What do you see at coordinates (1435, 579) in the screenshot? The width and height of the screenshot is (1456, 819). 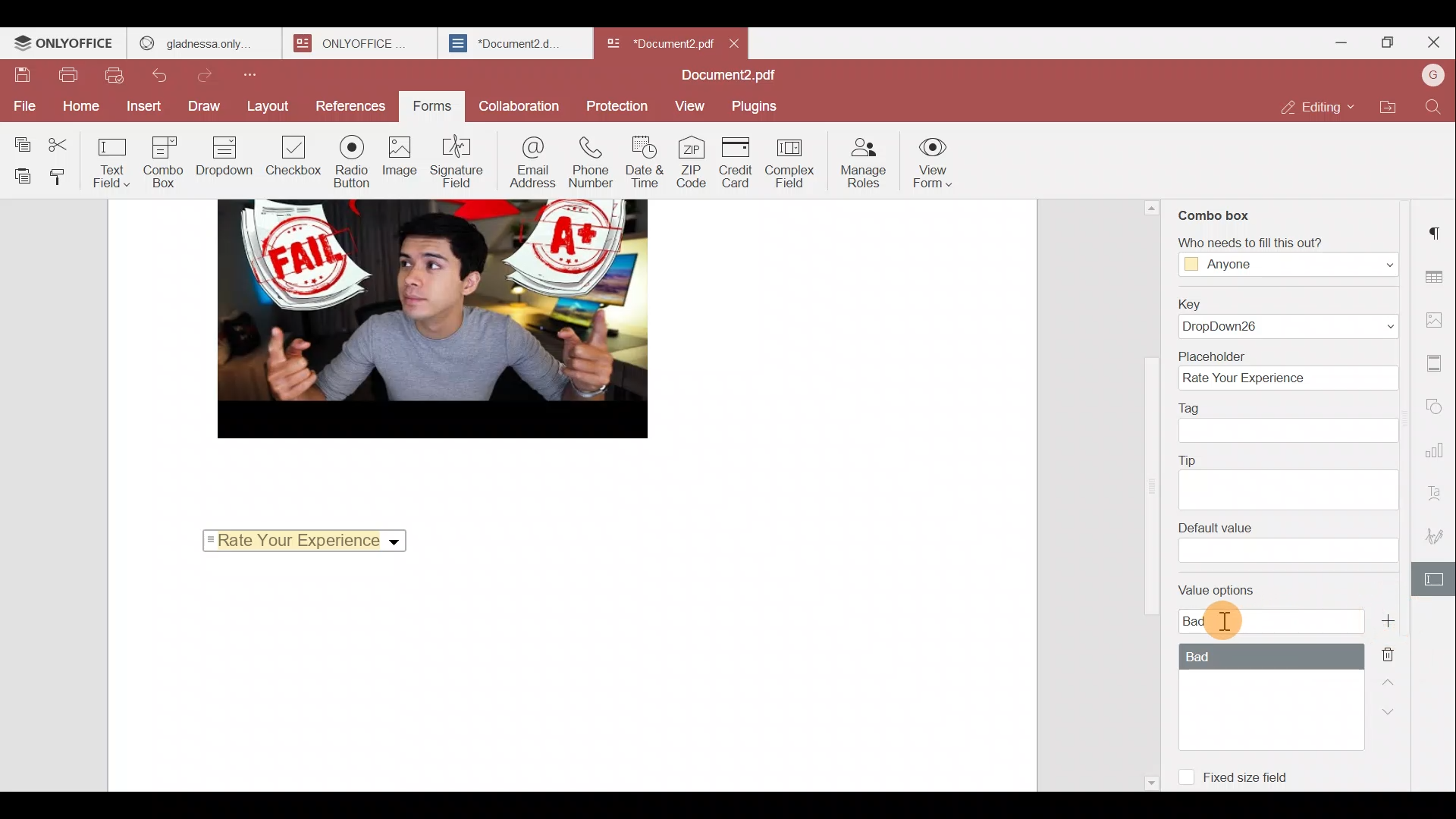 I see `Form settings` at bounding box center [1435, 579].